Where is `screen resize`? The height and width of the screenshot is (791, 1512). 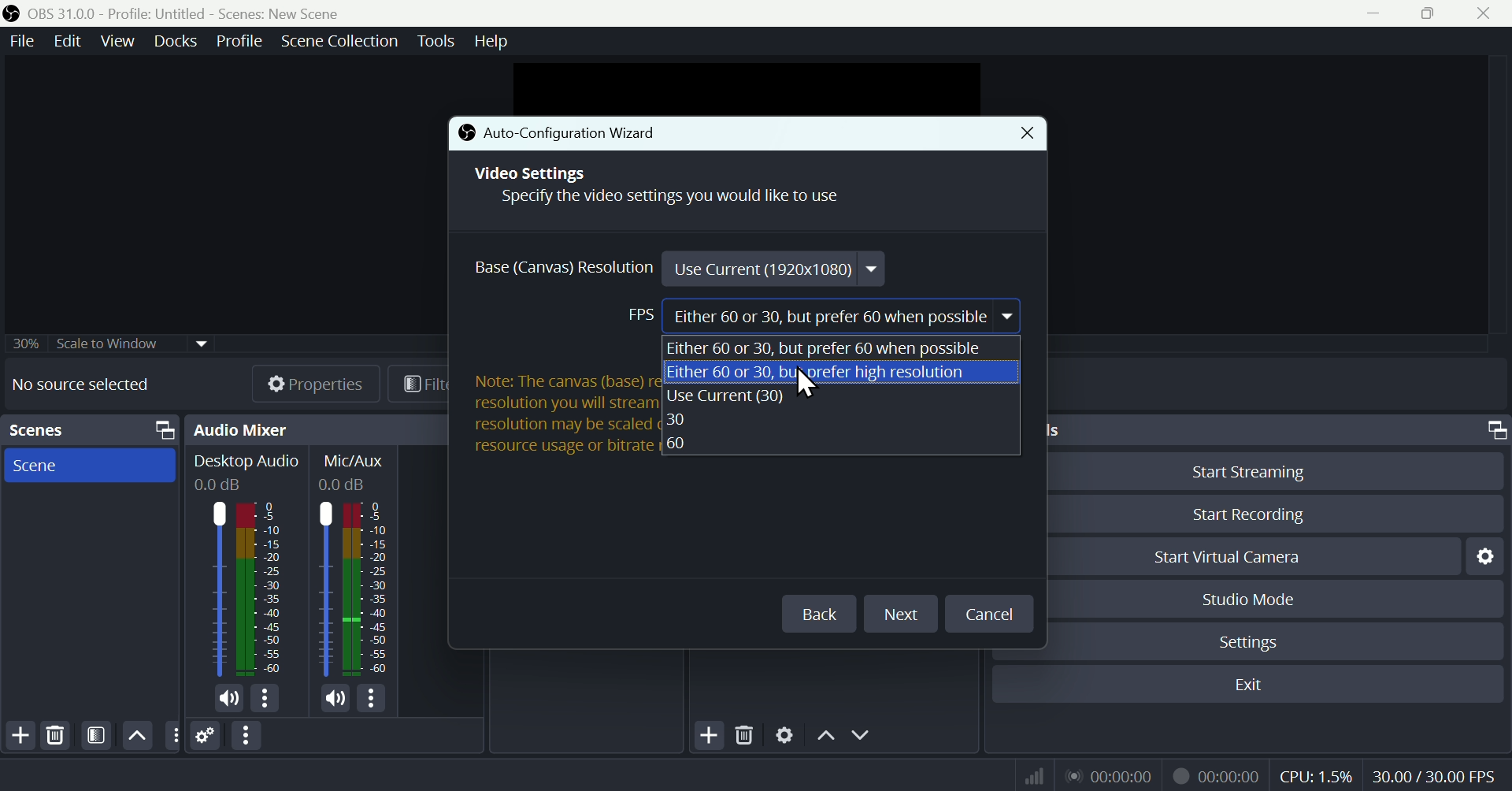
screen resize is located at coordinates (1492, 430).